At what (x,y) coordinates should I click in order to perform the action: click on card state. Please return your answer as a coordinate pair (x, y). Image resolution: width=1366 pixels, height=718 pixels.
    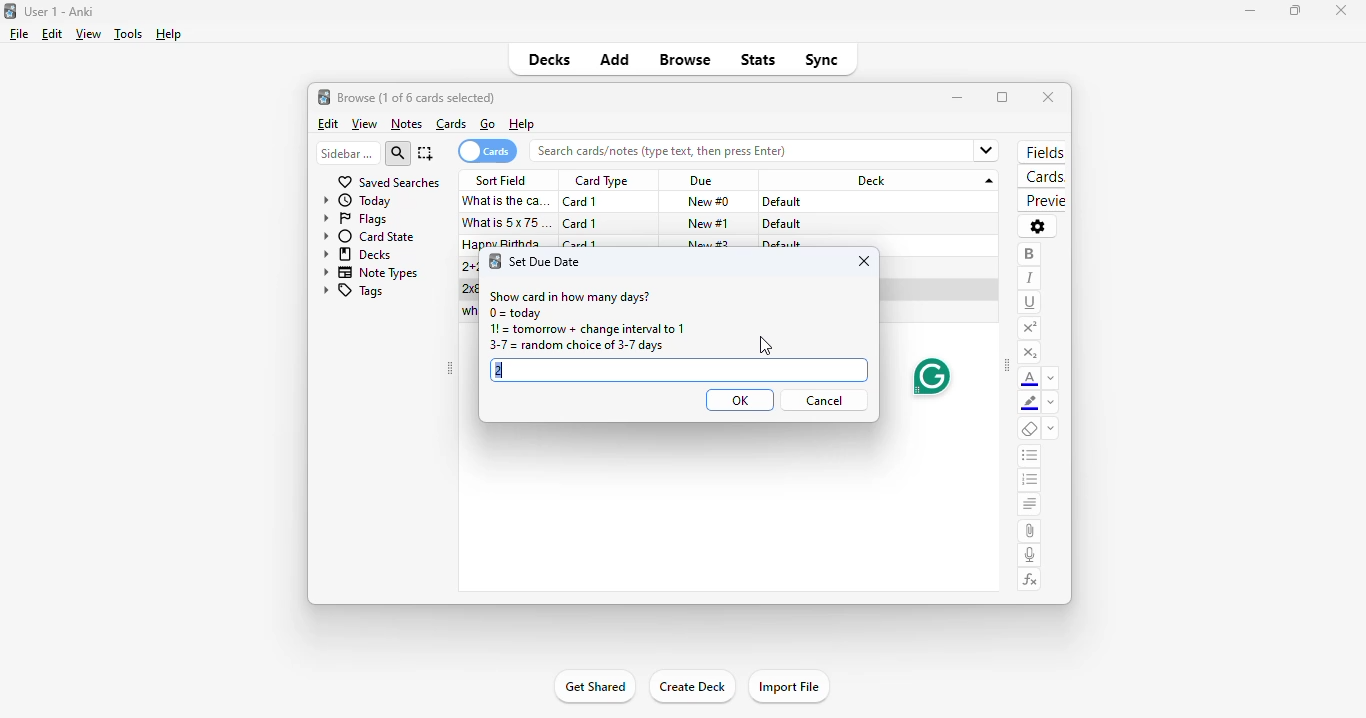
    Looking at the image, I should click on (369, 236).